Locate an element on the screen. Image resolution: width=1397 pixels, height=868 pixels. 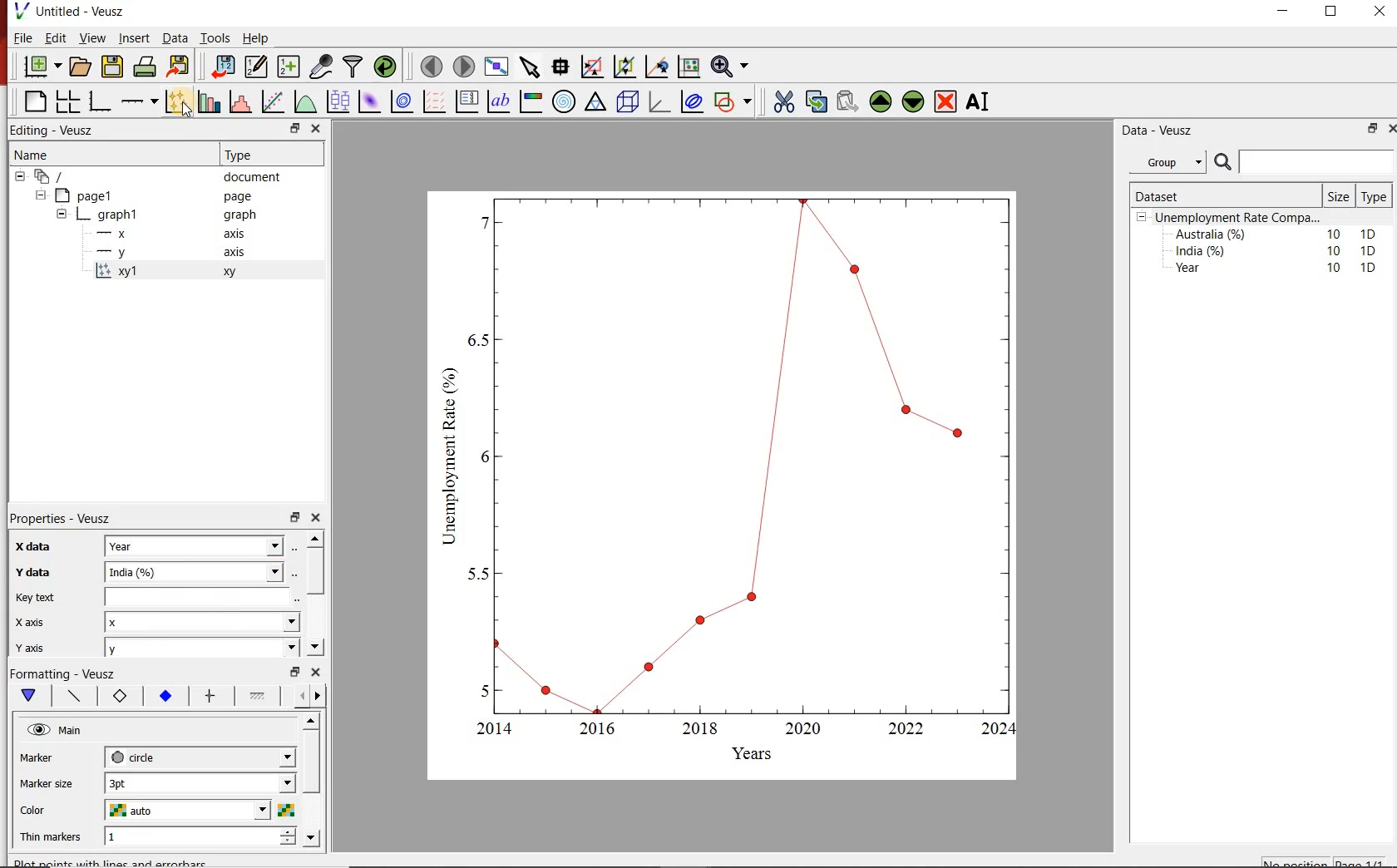
read the data points is located at coordinates (562, 66).